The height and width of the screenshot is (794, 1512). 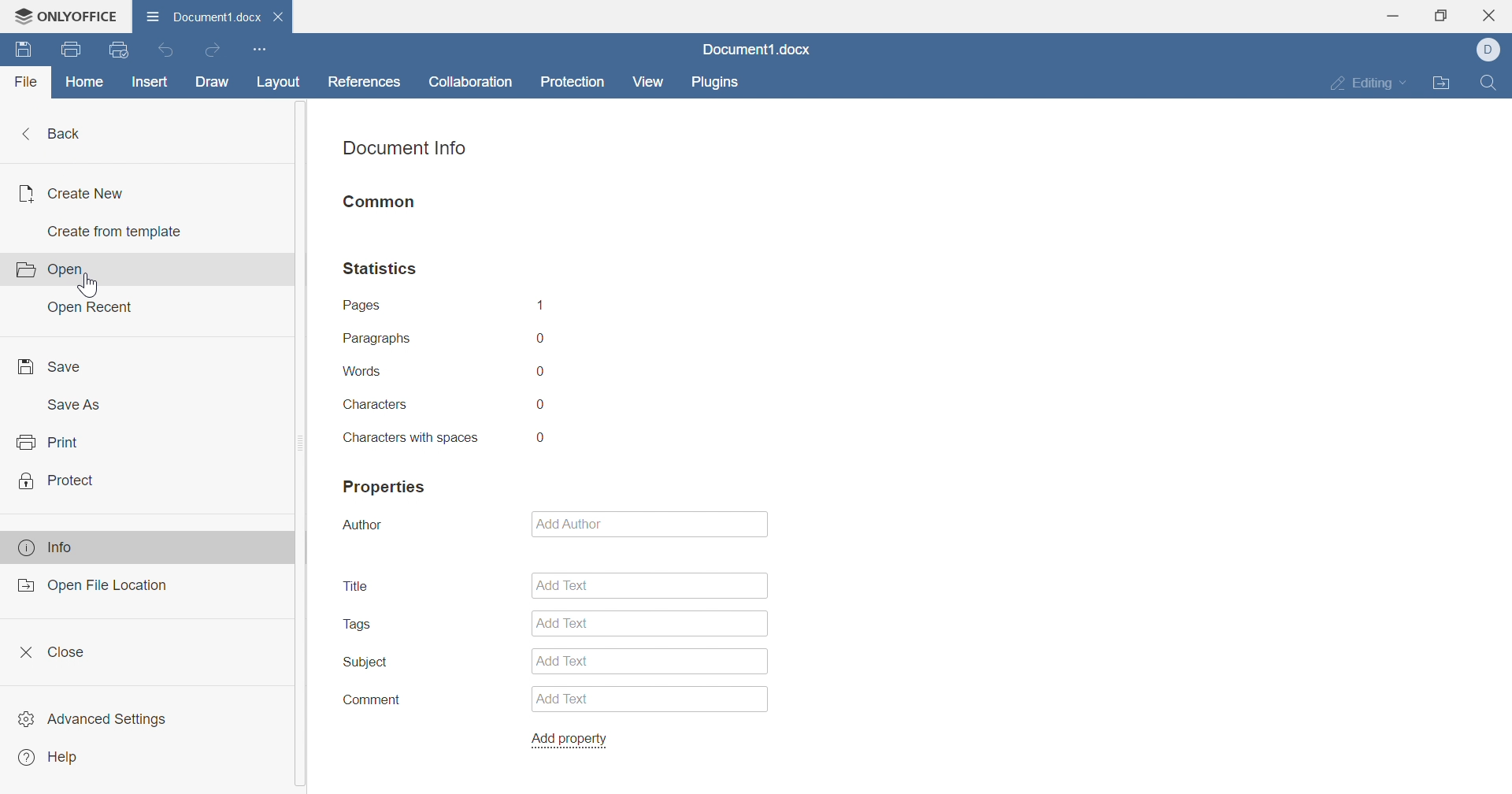 What do you see at coordinates (1398, 13) in the screenshot?
I see `minimize` at bounding box center [1398, 13].